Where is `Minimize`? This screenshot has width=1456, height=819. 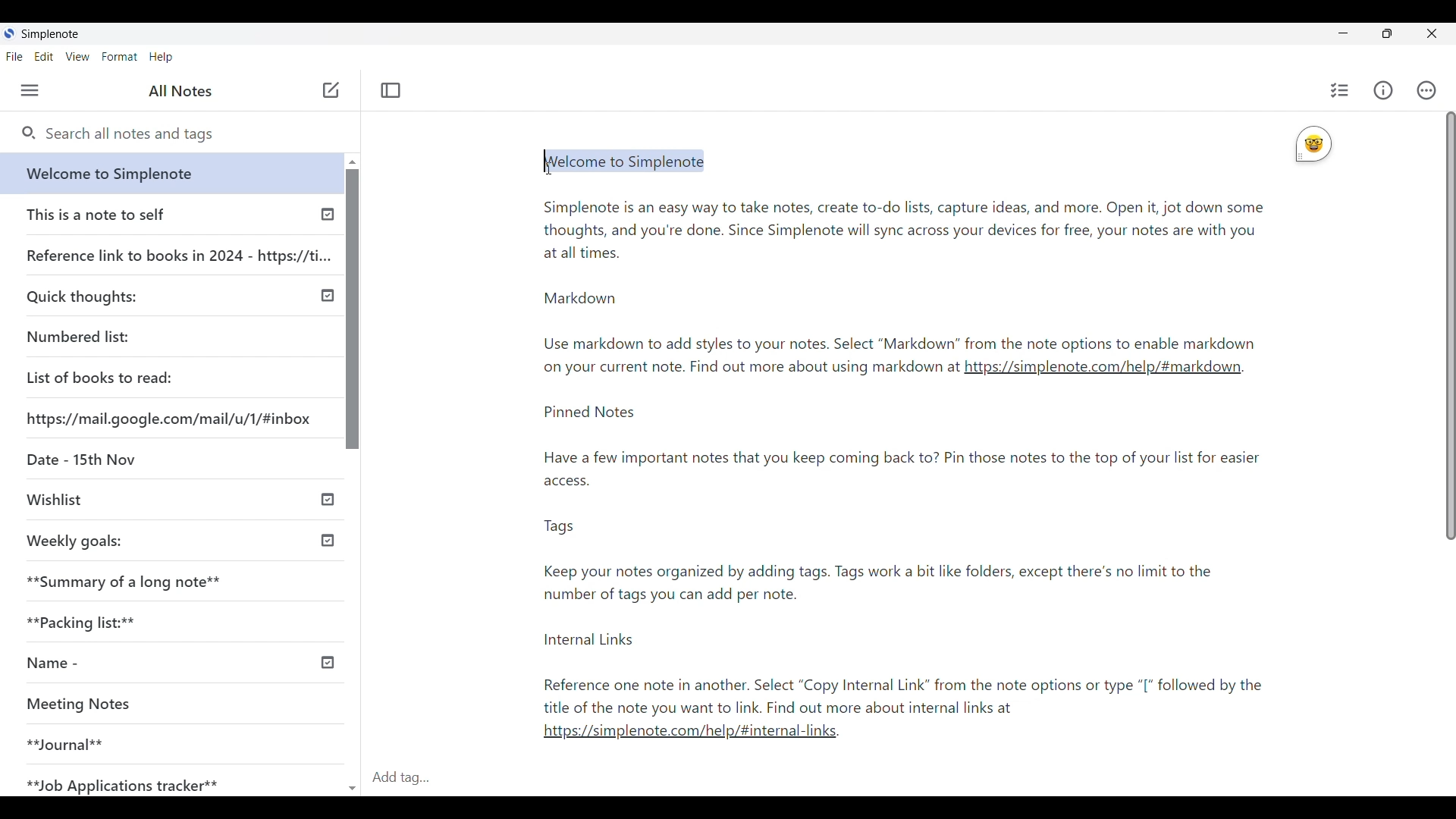
Minimize is located at coordinates (1343, 33).